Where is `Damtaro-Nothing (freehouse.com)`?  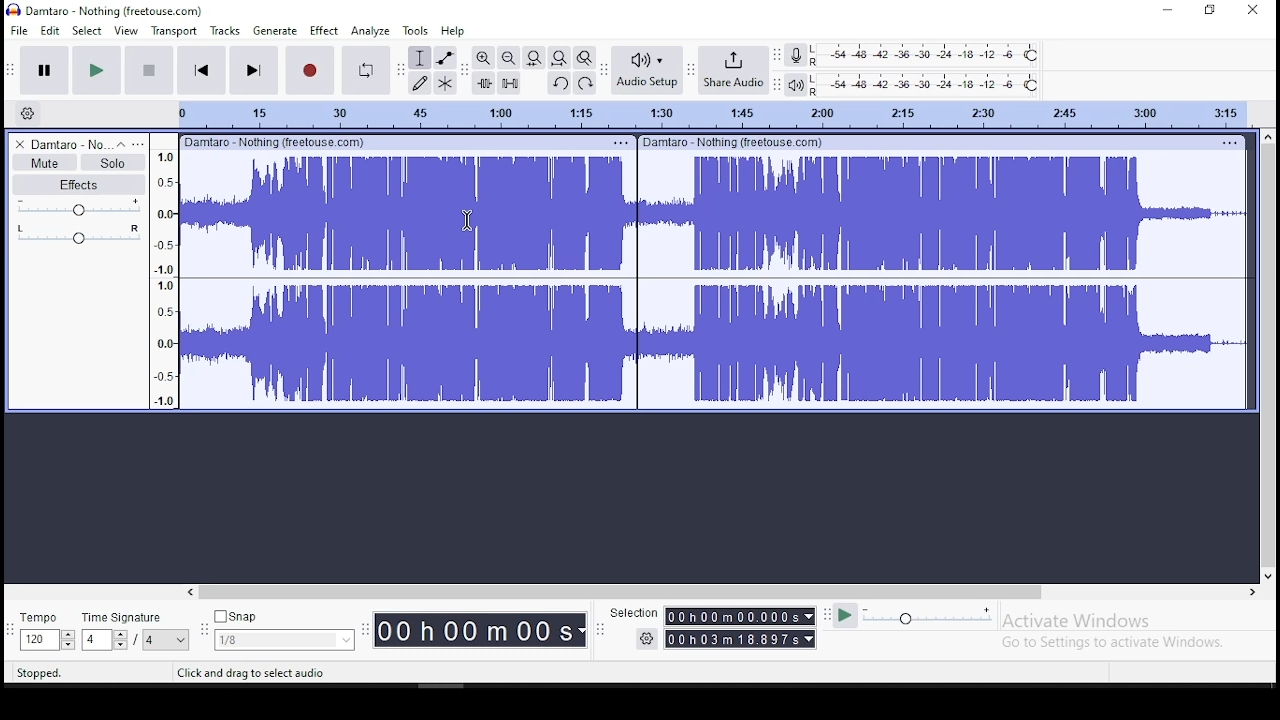 Damtaro-Nothing (freehouse.com) is located at coordinates (273, 141).